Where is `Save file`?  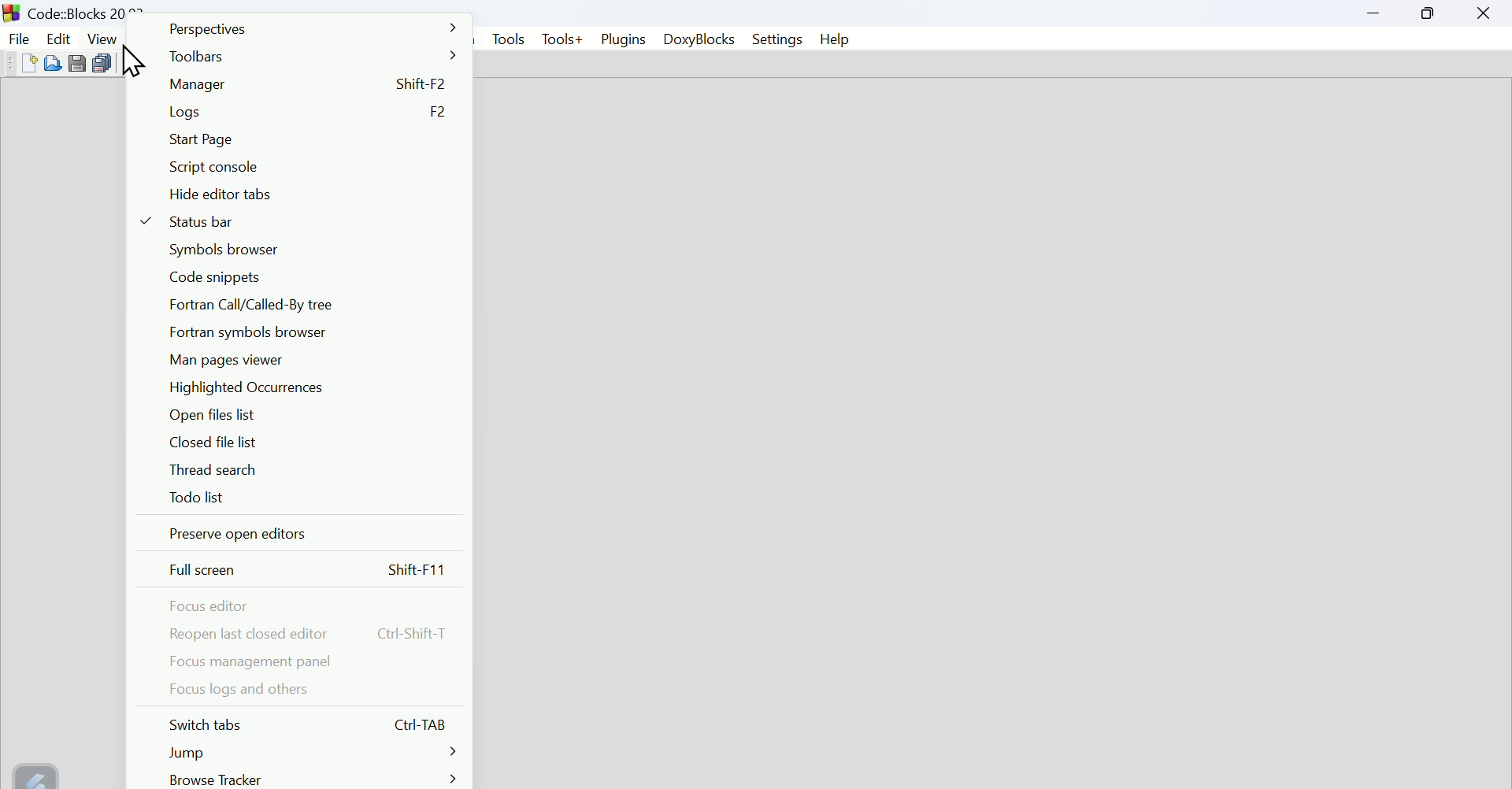
Save file is located at coordinates (78, 62).